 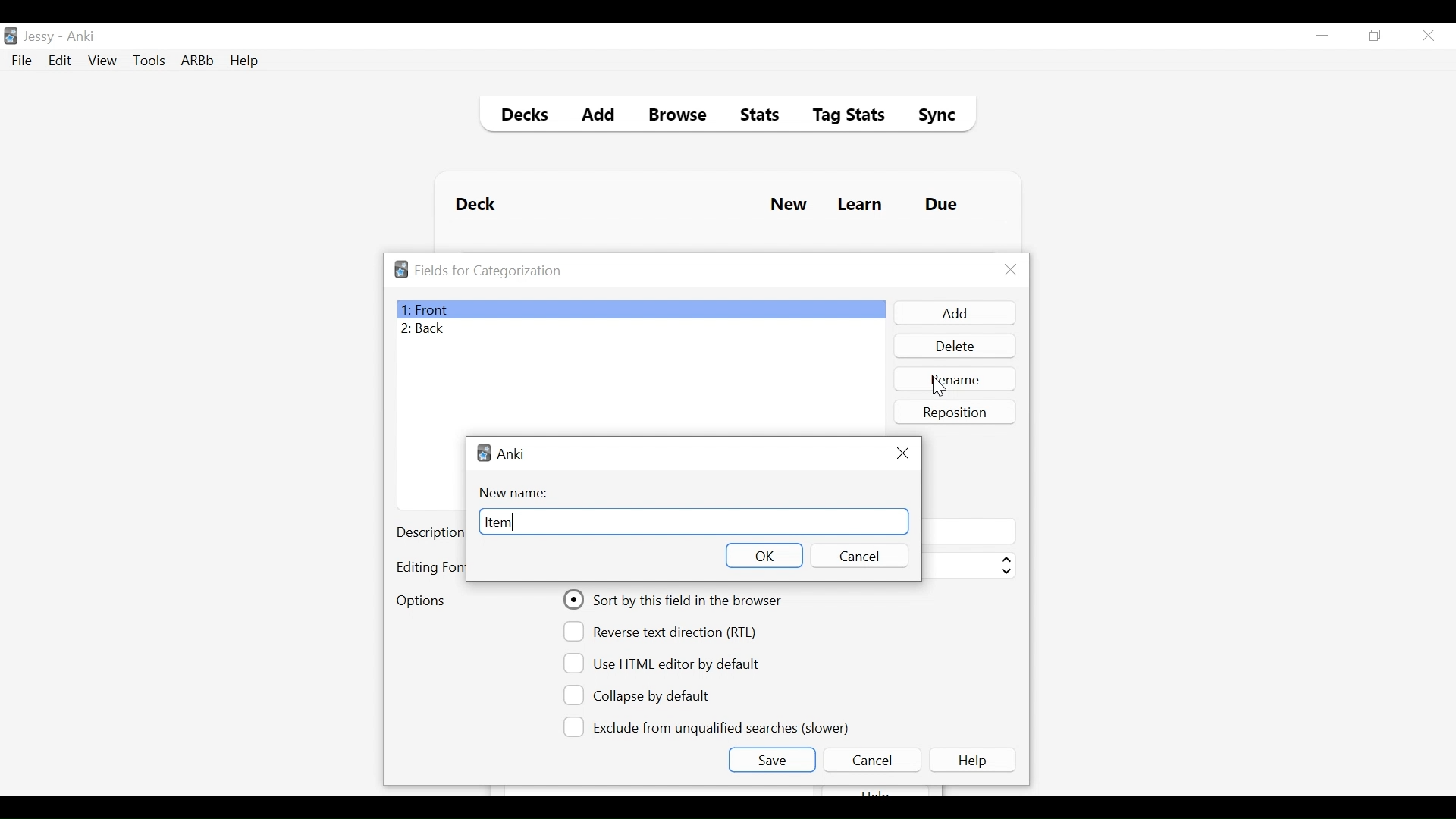 What do you see at coordinates (859, 206) in the screenshot?
I see `Learn` at bounding box center [859, 206].